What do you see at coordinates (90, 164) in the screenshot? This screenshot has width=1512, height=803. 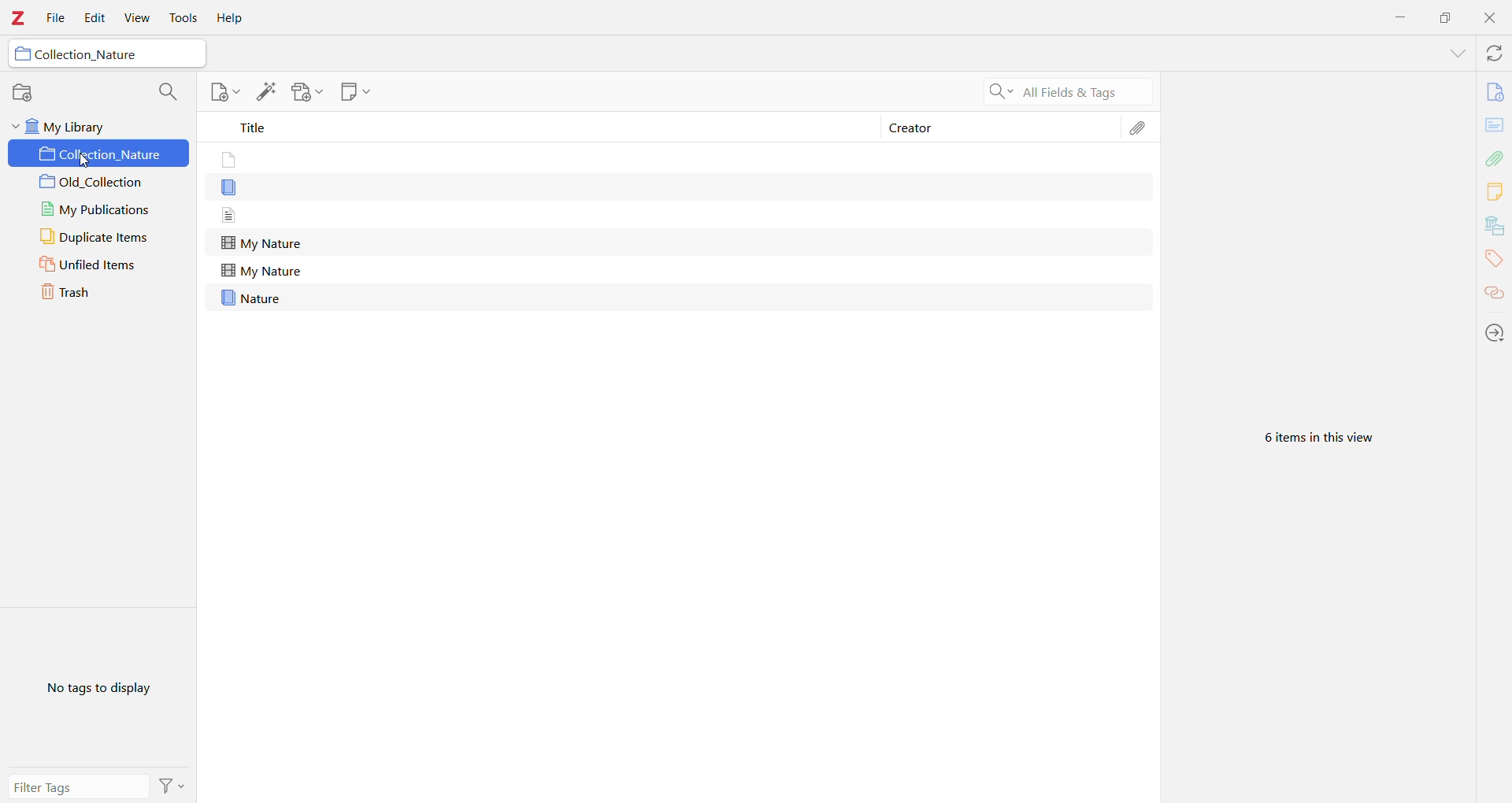 I see `cursor` at bounding box center [90, 164].